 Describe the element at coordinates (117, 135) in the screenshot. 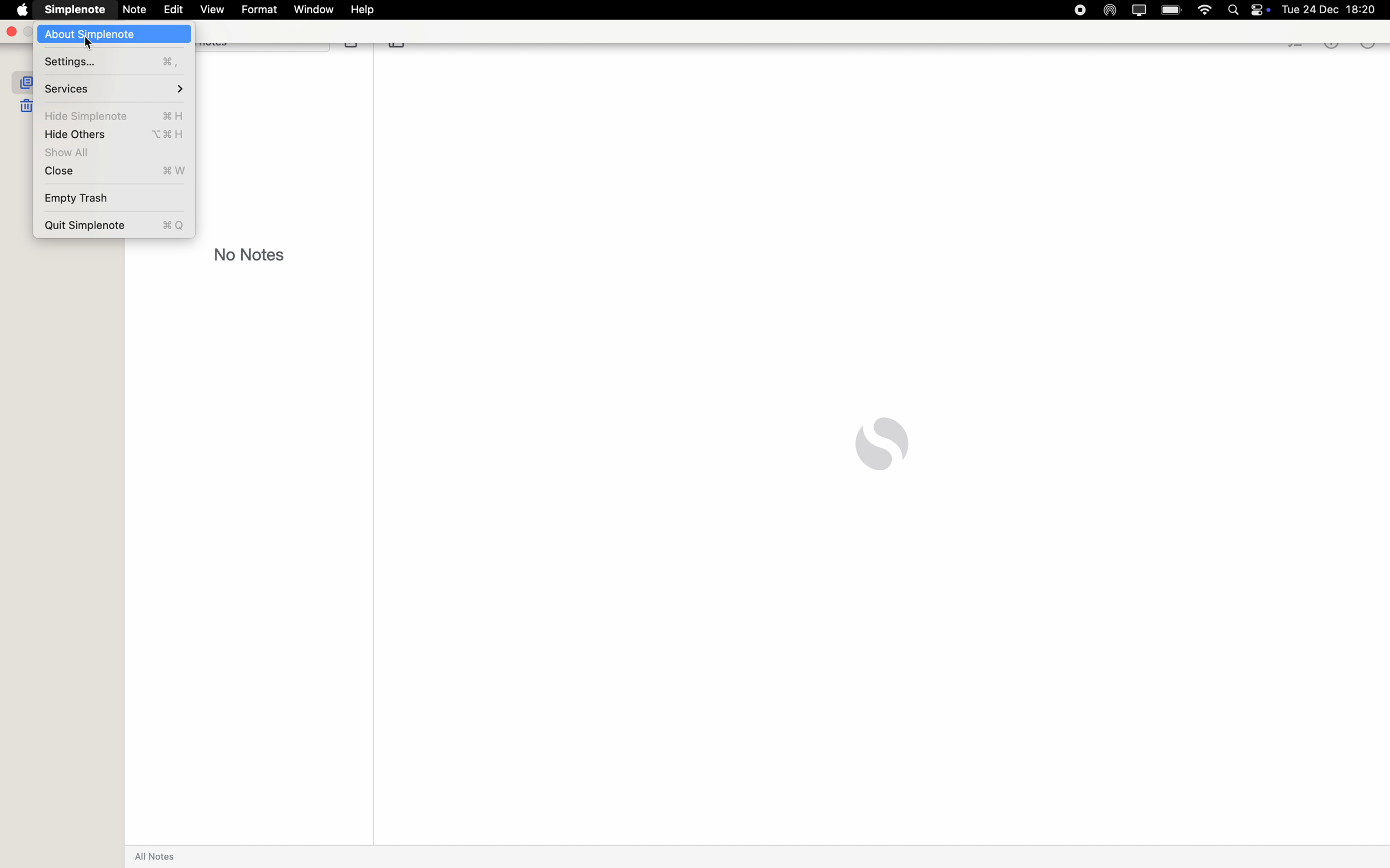

I see `hide others` at that location.